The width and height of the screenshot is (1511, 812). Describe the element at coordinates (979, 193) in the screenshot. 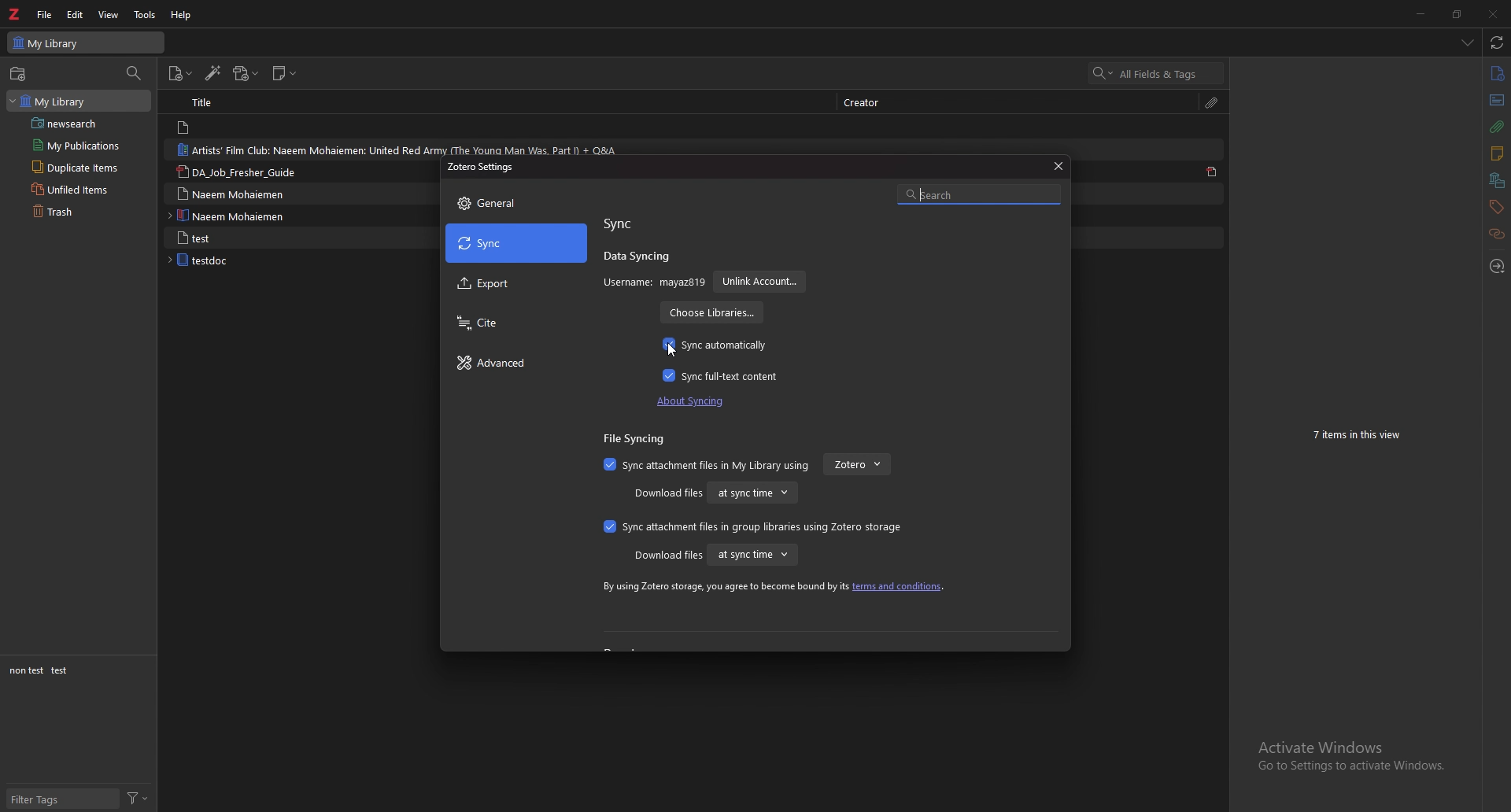

I see `search bar` at that location.